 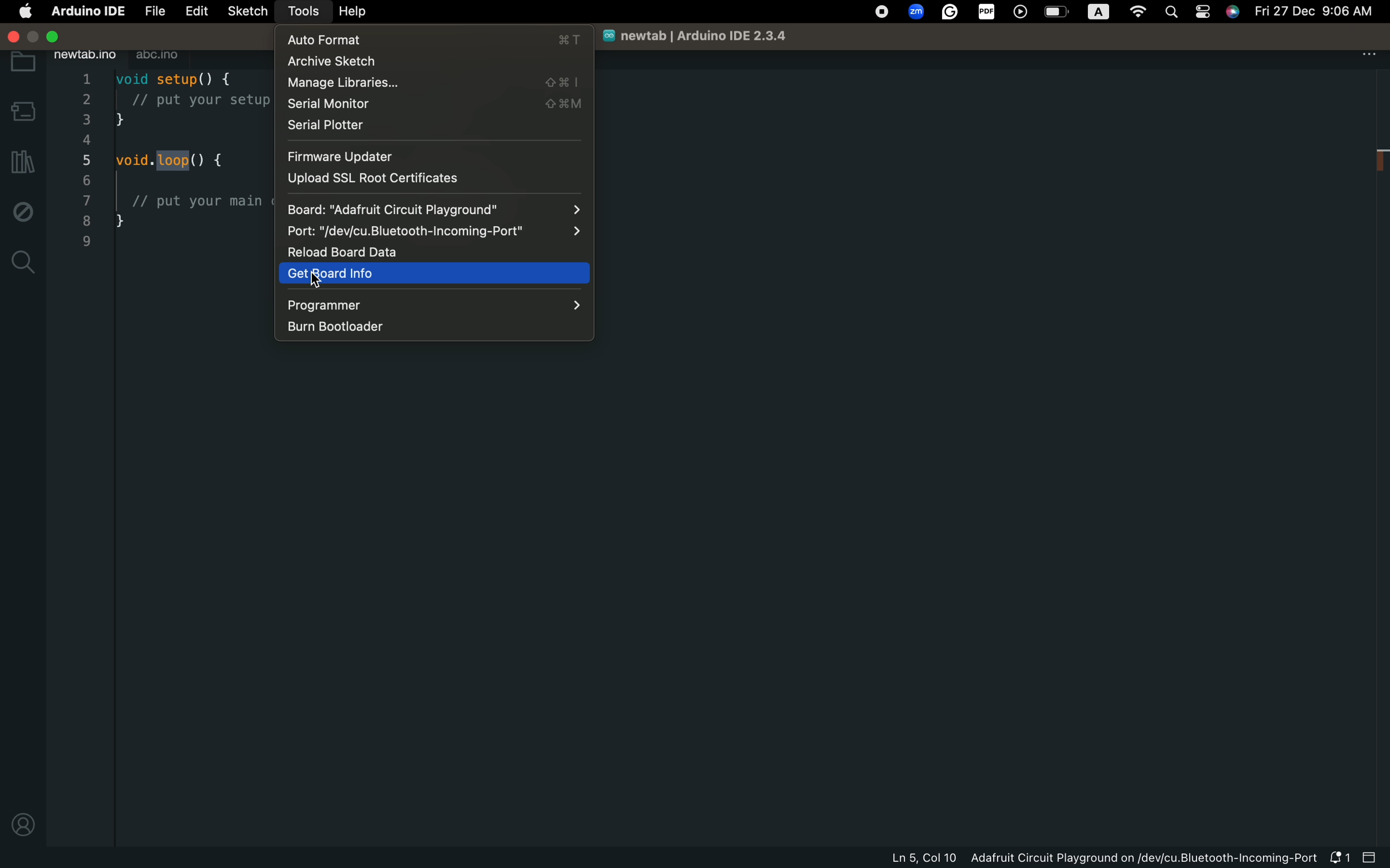 What do you see at coordinates (86, 11) in the screenshot?
I see `Arduino IDE` at bounding box center [86, 11].